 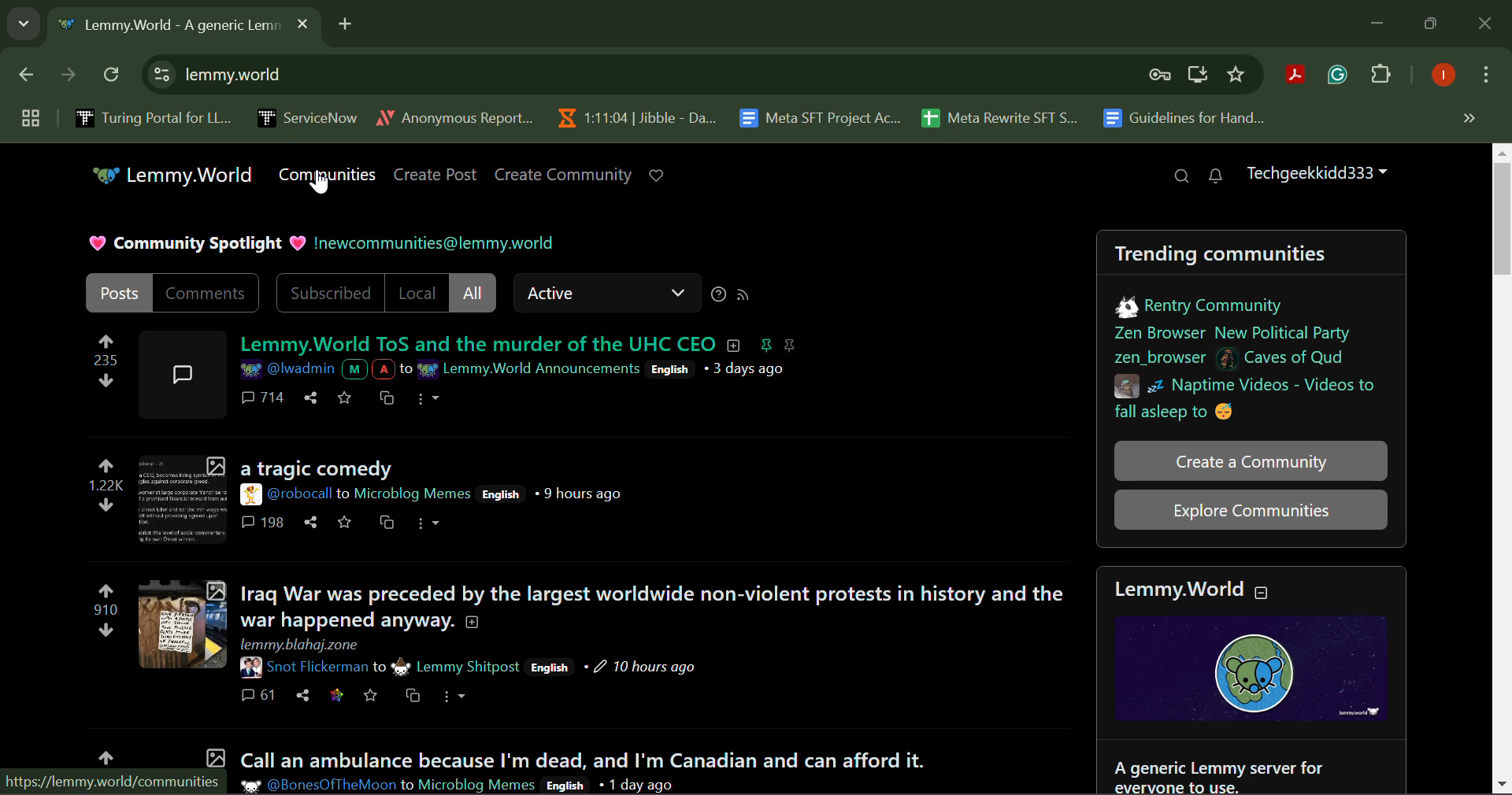 I want to click on 1 day ago, so click(x=639, y=785).